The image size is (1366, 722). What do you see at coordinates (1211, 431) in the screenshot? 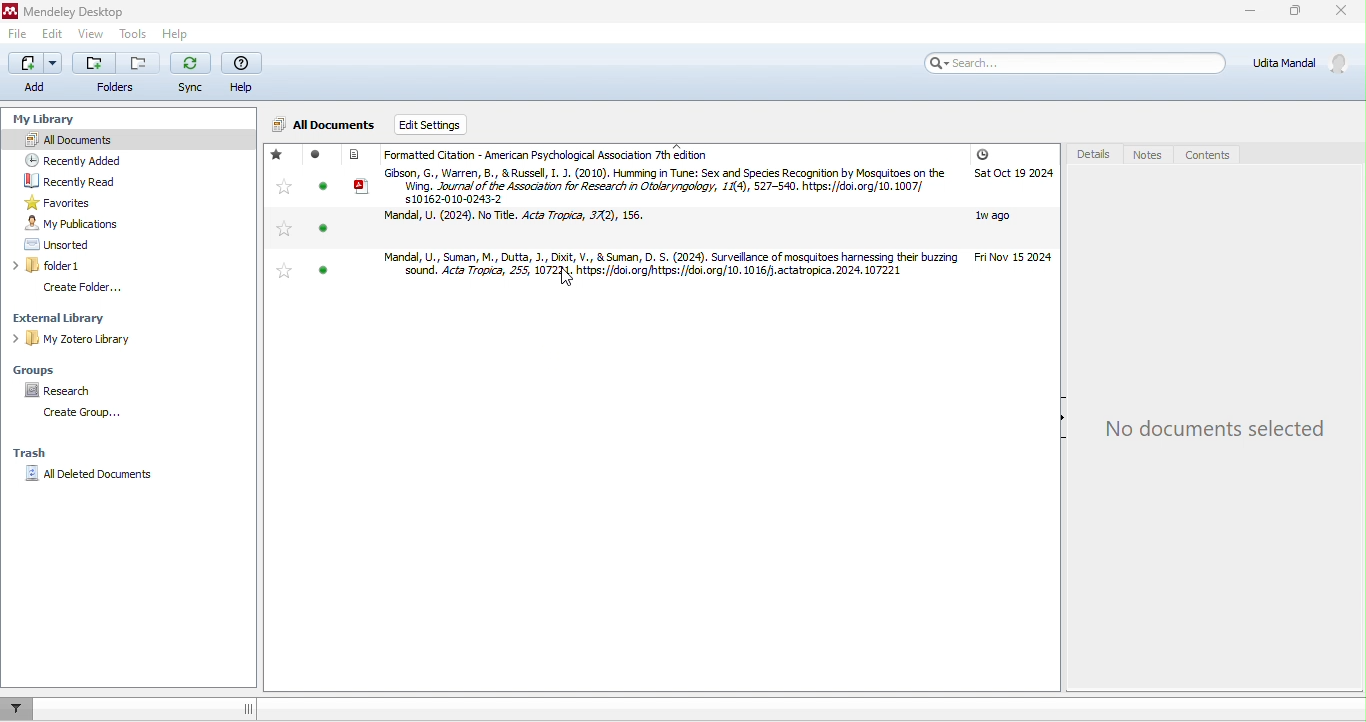
I see `no documents` at bounding box center [1211, 431].